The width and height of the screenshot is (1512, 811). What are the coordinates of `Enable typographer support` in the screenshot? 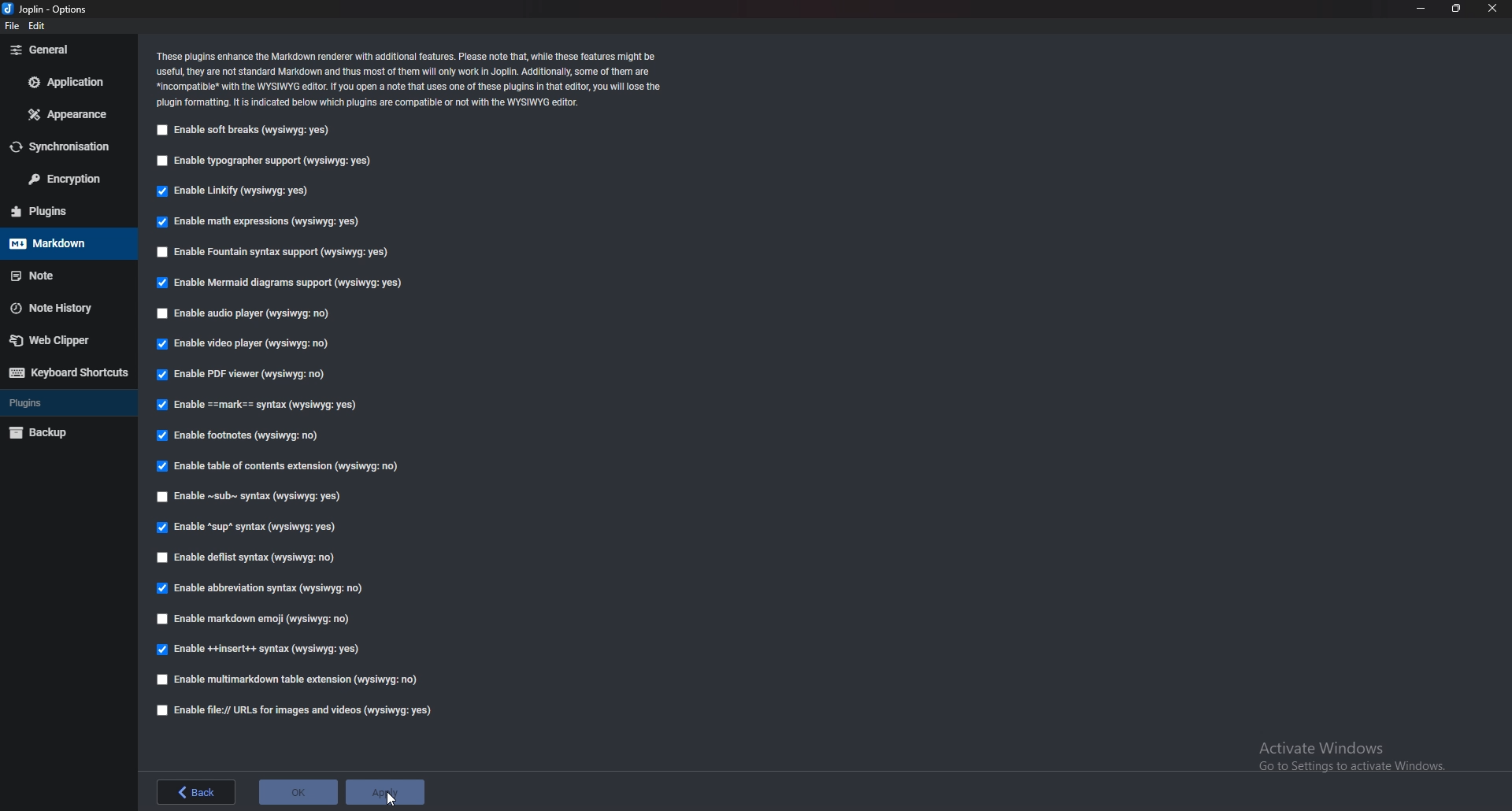 It's located at (262, 162).